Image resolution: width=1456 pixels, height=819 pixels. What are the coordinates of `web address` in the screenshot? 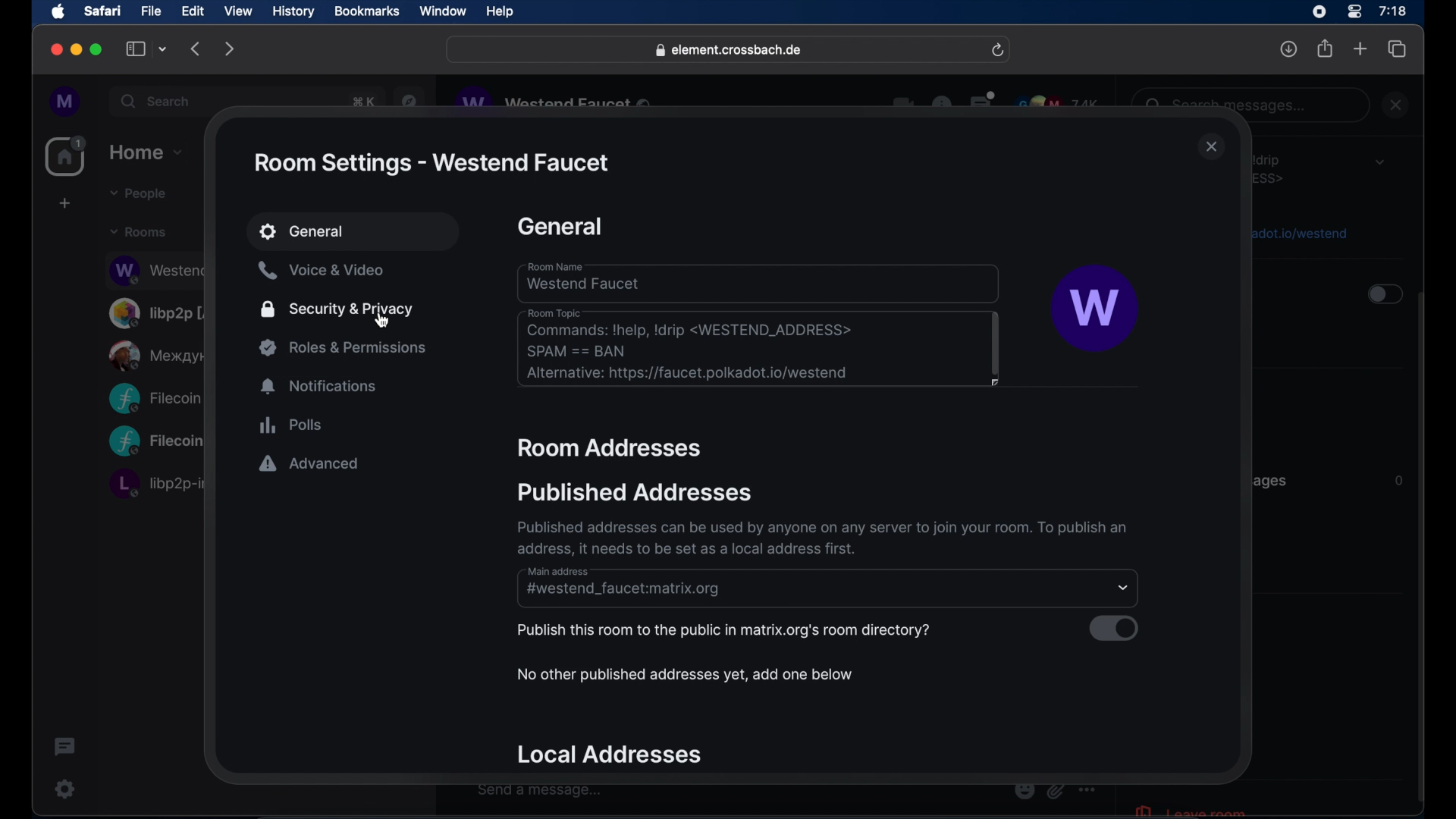 It's located at (730, 51).